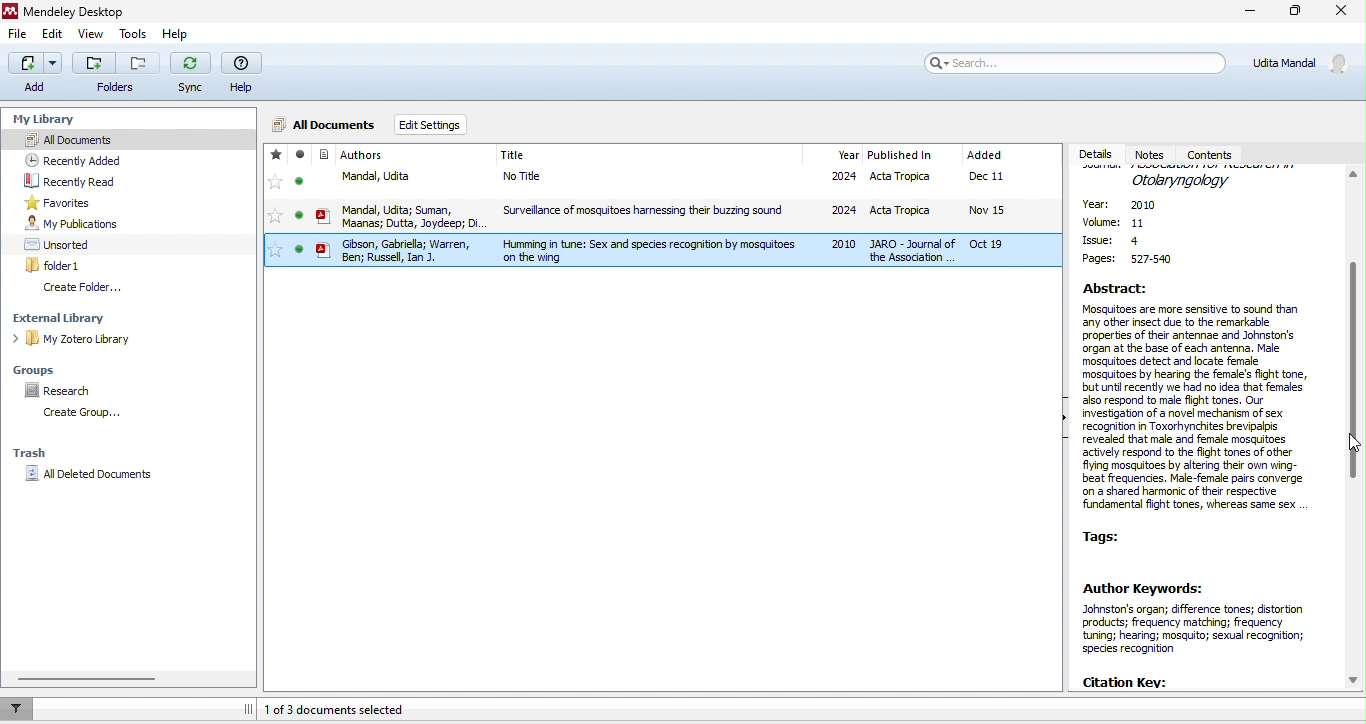  I want to click on horizontal scroll bar, so click(91, 679).